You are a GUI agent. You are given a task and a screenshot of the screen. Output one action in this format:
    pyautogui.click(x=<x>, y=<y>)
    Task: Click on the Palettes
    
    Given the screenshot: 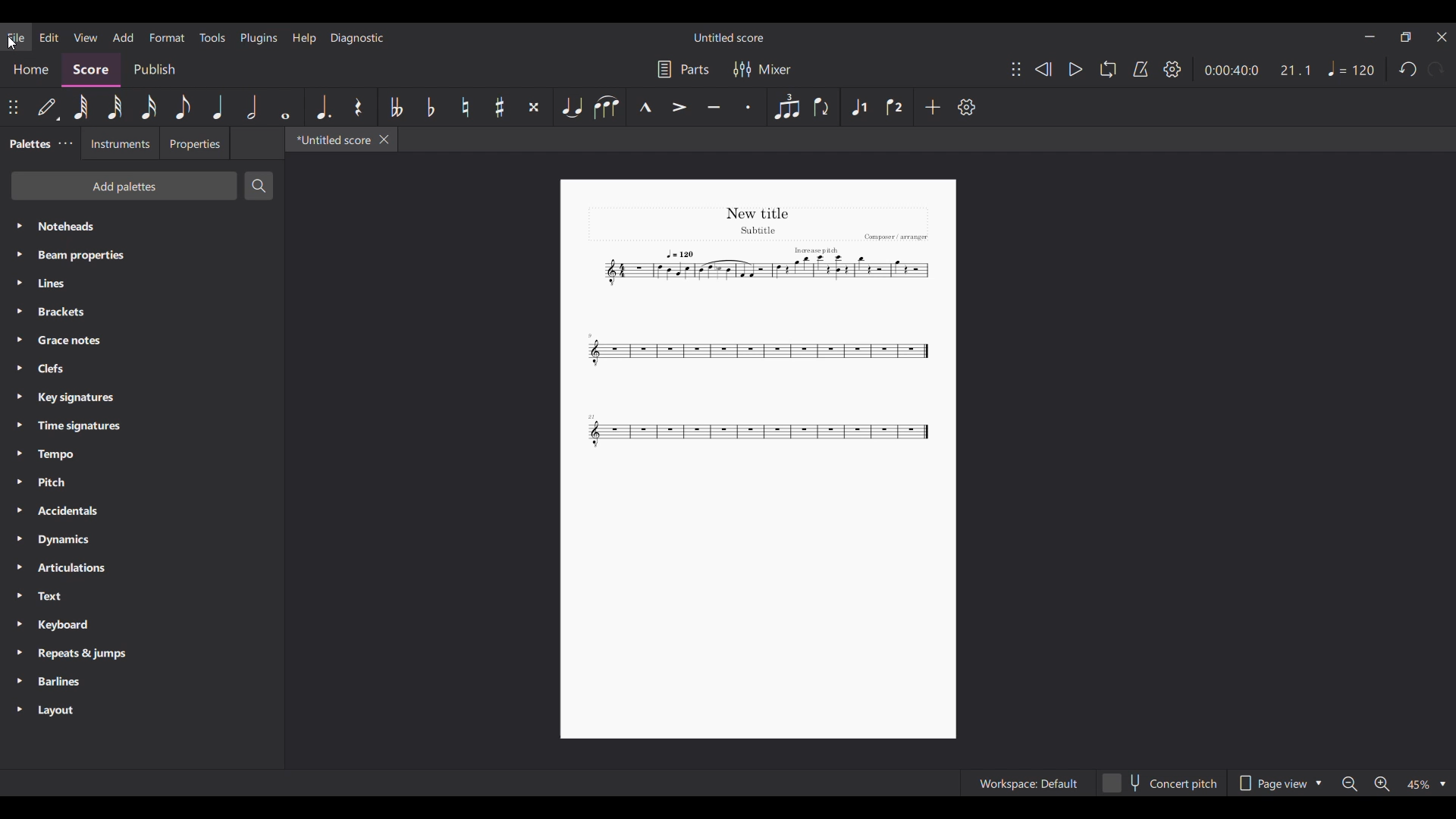 What is the action you would take?
    pyautogui.click(x=28, y=143)
    